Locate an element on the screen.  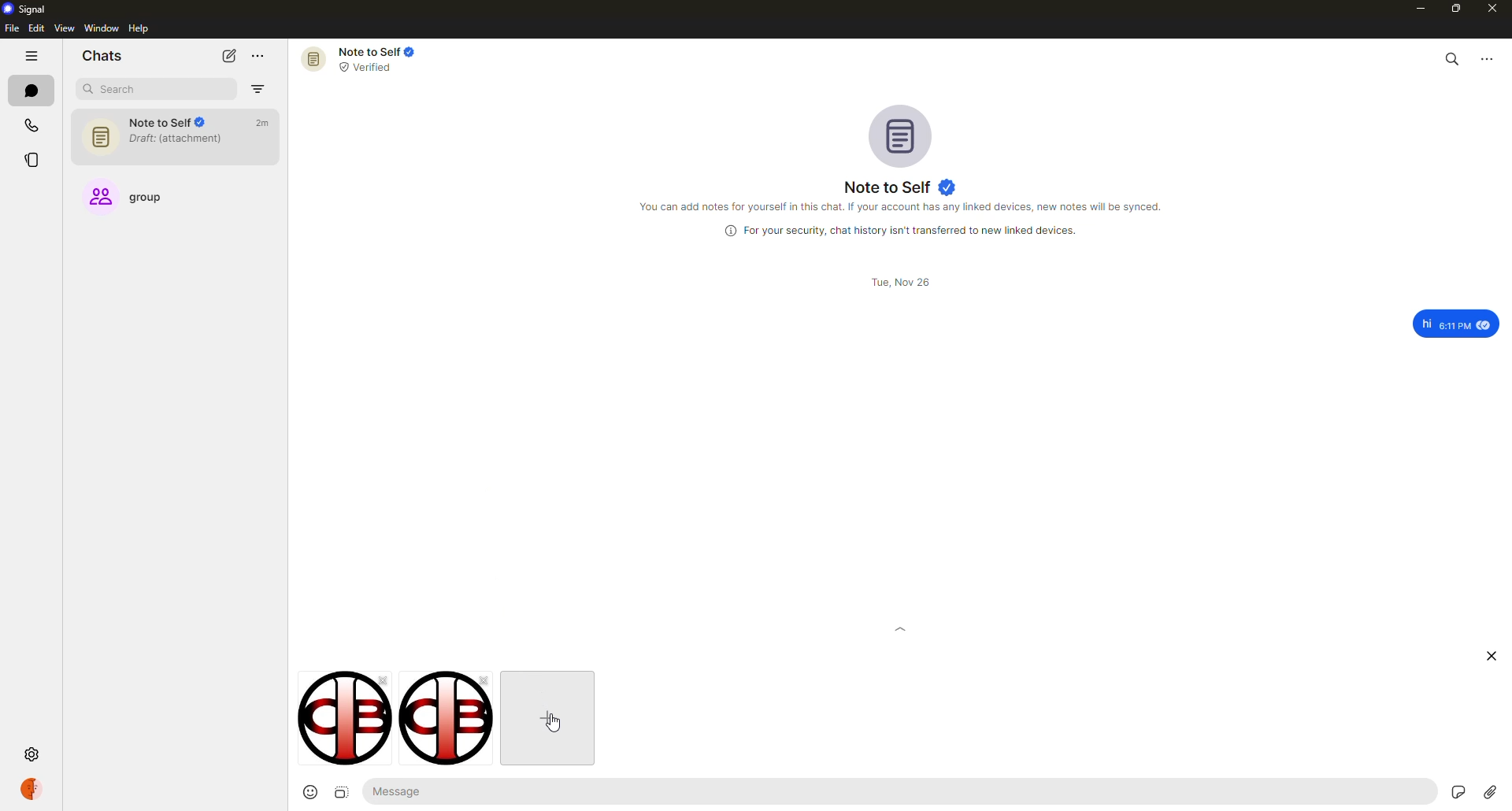
chats is located at coordinates (30, 92).